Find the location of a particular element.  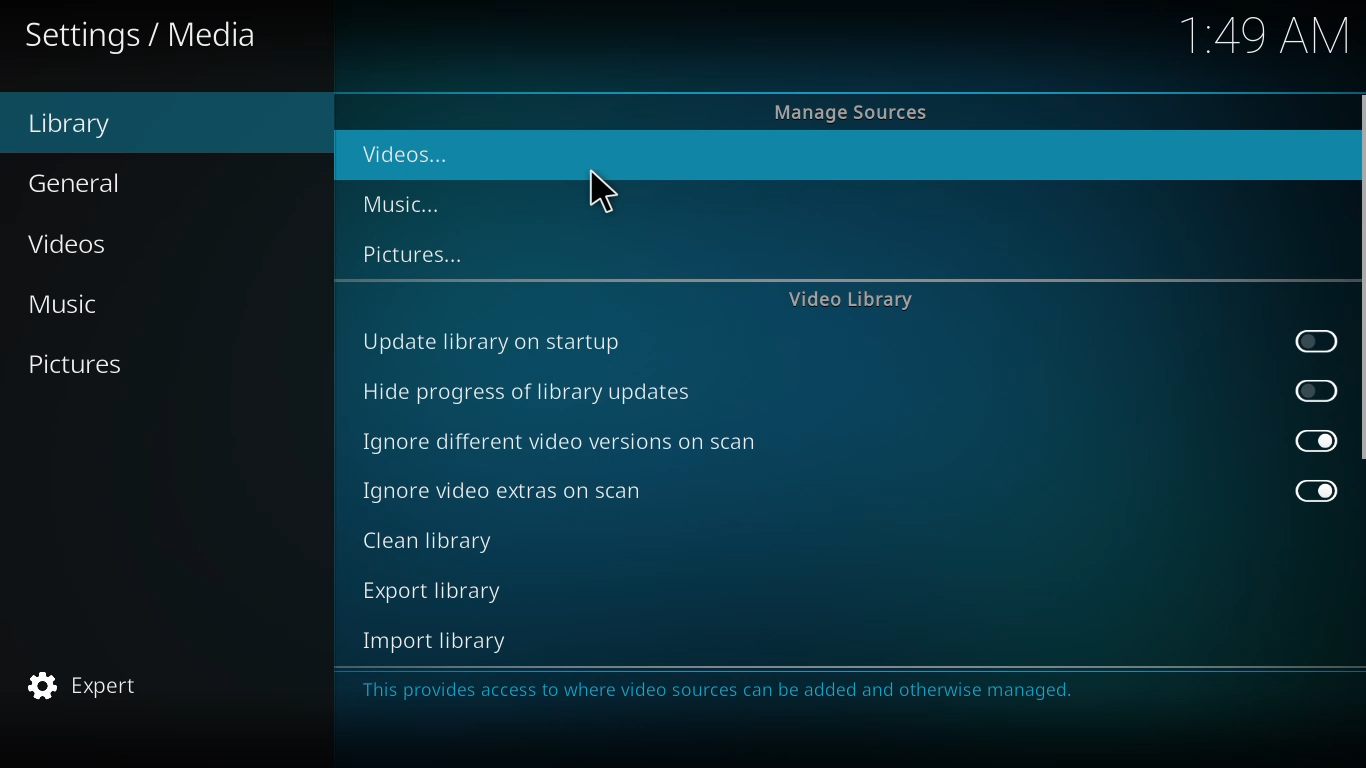

hide progress is located at coordinates (532, 392).